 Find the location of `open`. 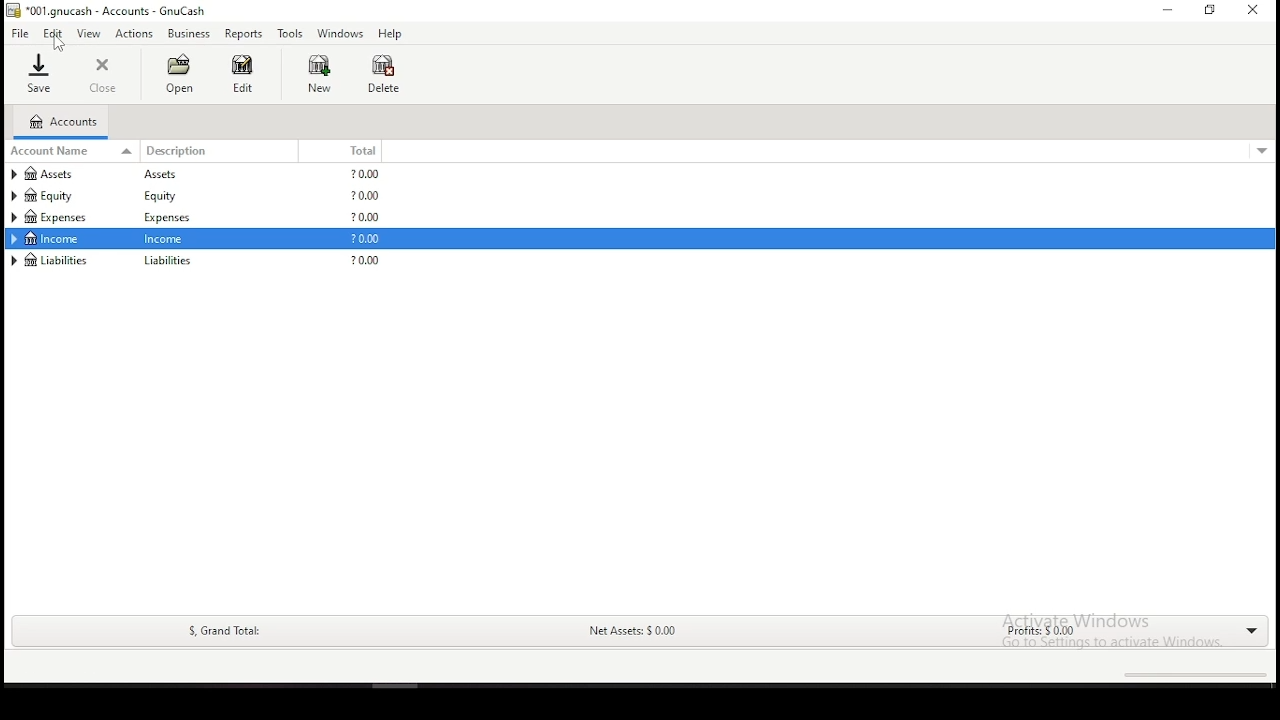

open is located at coordinates (178, 74).